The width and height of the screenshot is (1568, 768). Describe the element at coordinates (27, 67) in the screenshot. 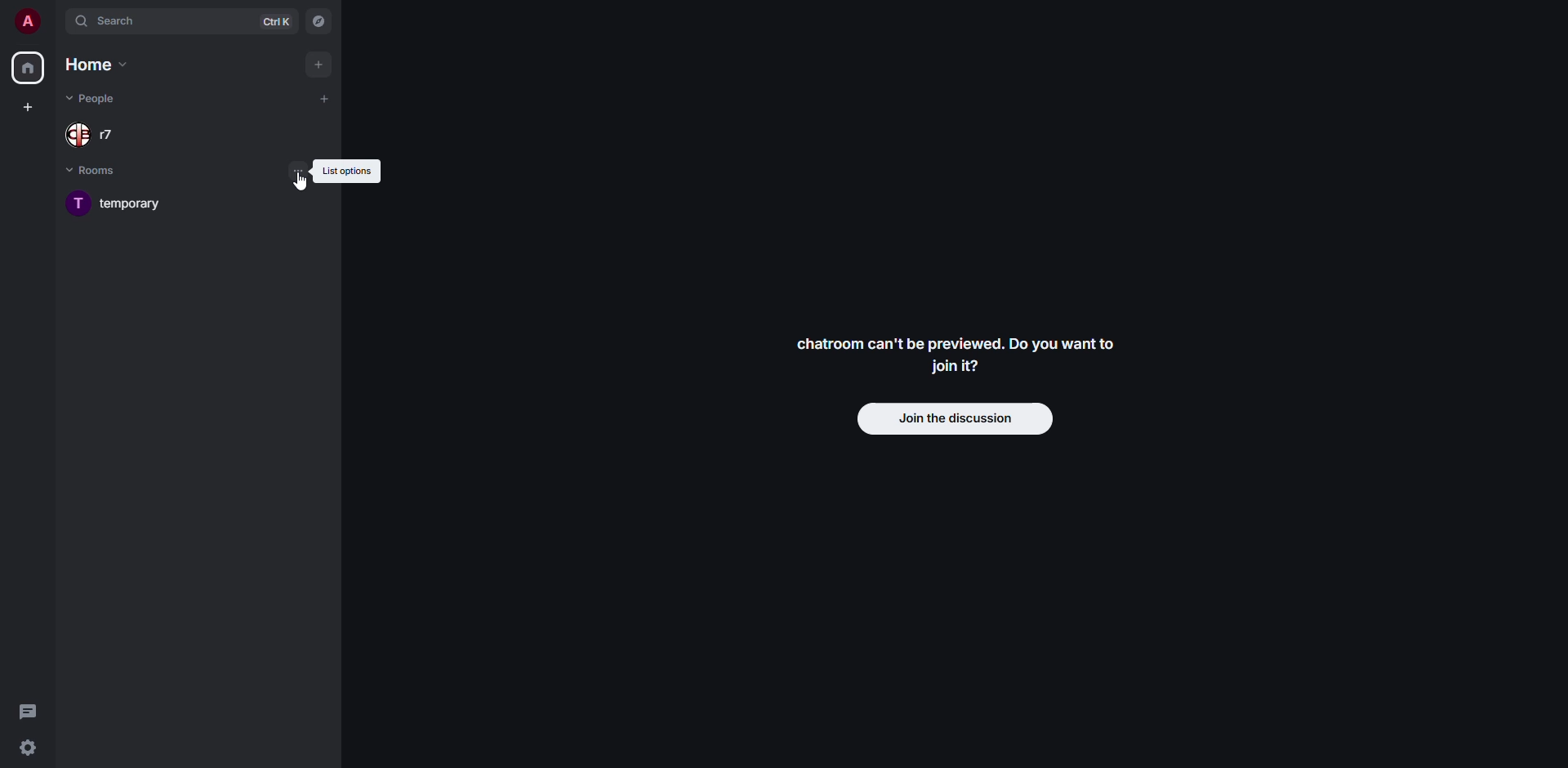

I see `home` at that location.